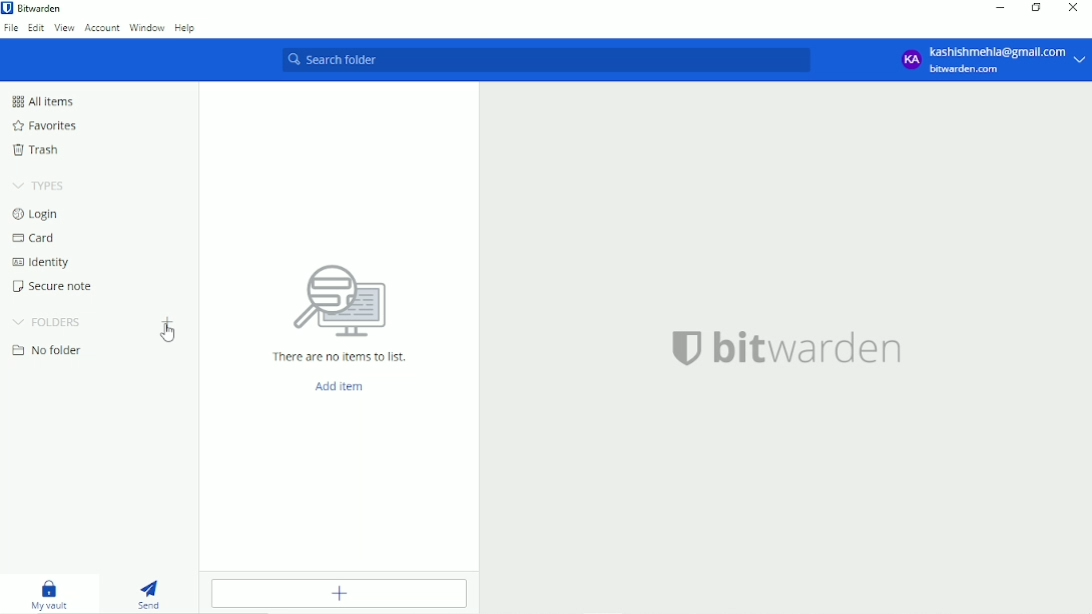 This screenshot has height=614, width=1092. I want to click on Folders, so click(47, 321).